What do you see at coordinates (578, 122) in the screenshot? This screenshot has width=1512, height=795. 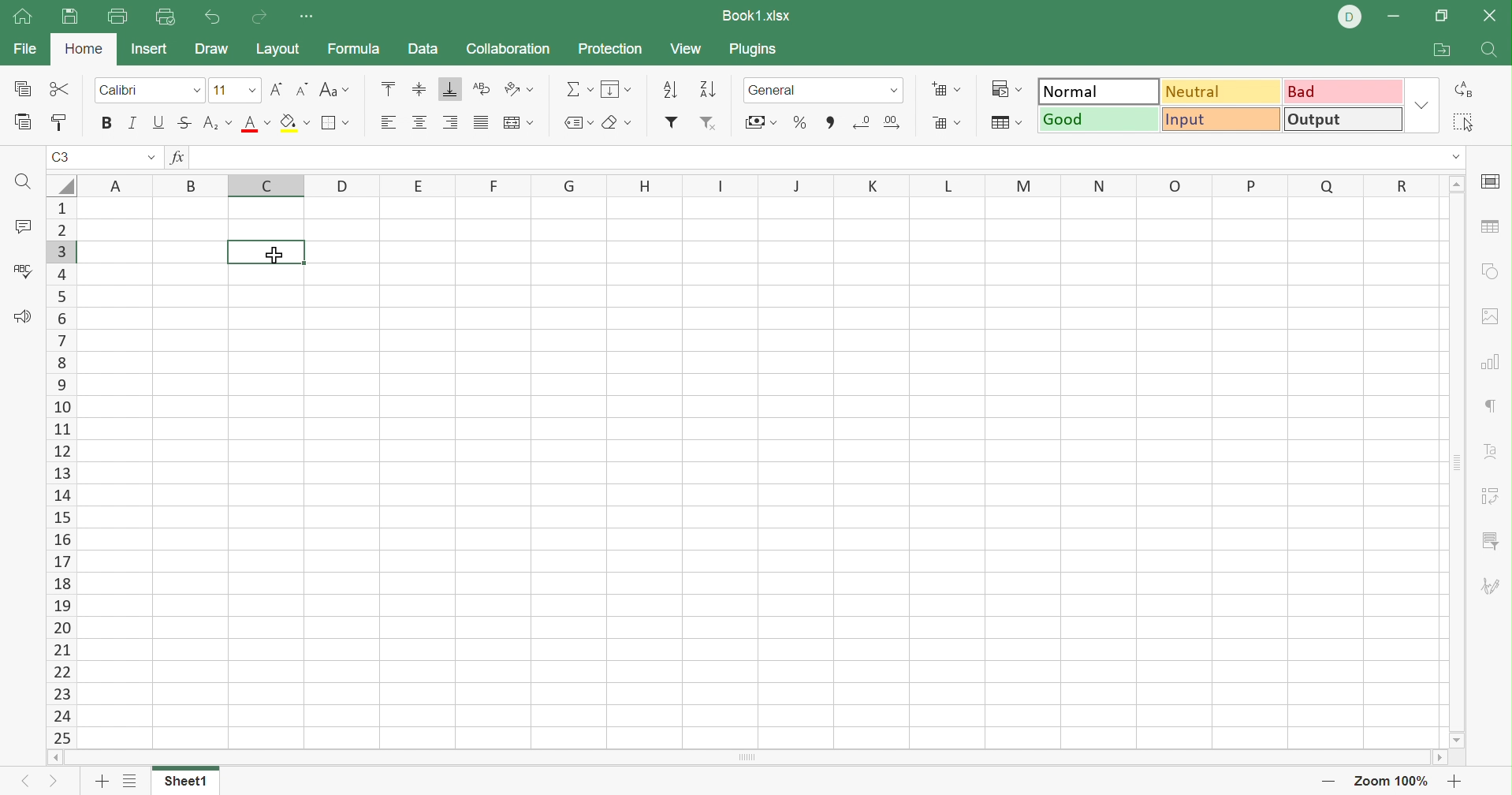 I see `Named ranges` at bounding box center [578, 122].